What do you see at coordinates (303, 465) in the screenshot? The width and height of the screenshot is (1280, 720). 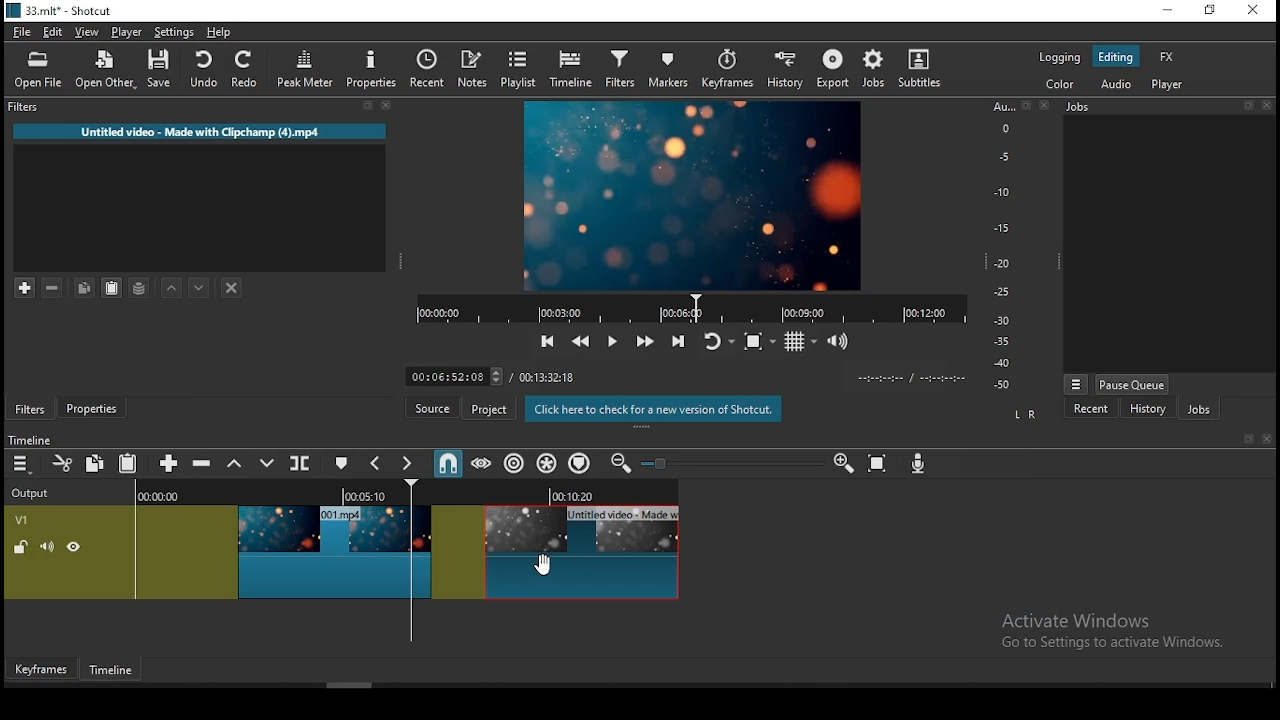 I see `split at playhead` at bounding box center [303, 465].